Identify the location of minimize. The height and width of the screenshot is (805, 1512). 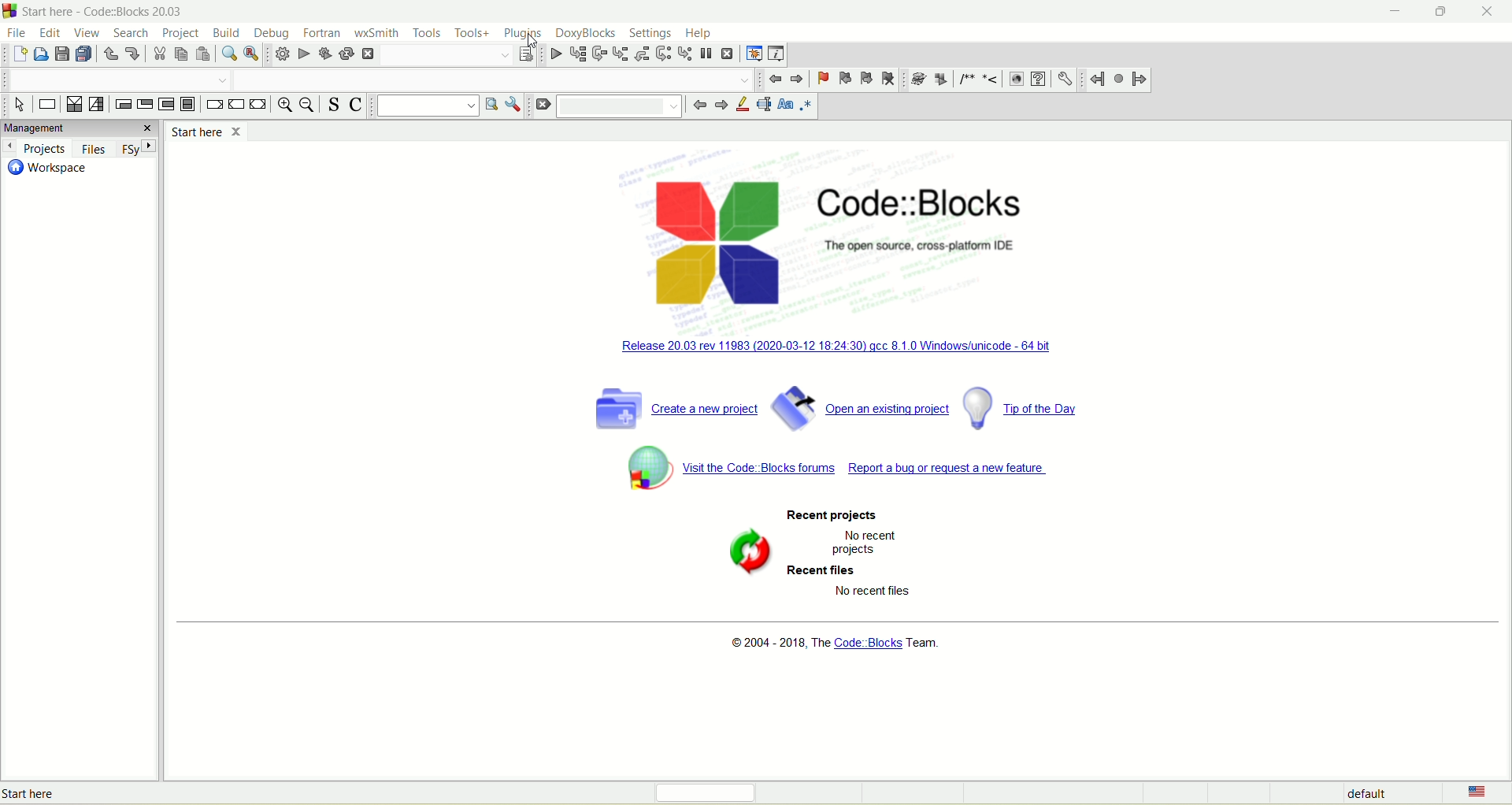
(1393, 14).